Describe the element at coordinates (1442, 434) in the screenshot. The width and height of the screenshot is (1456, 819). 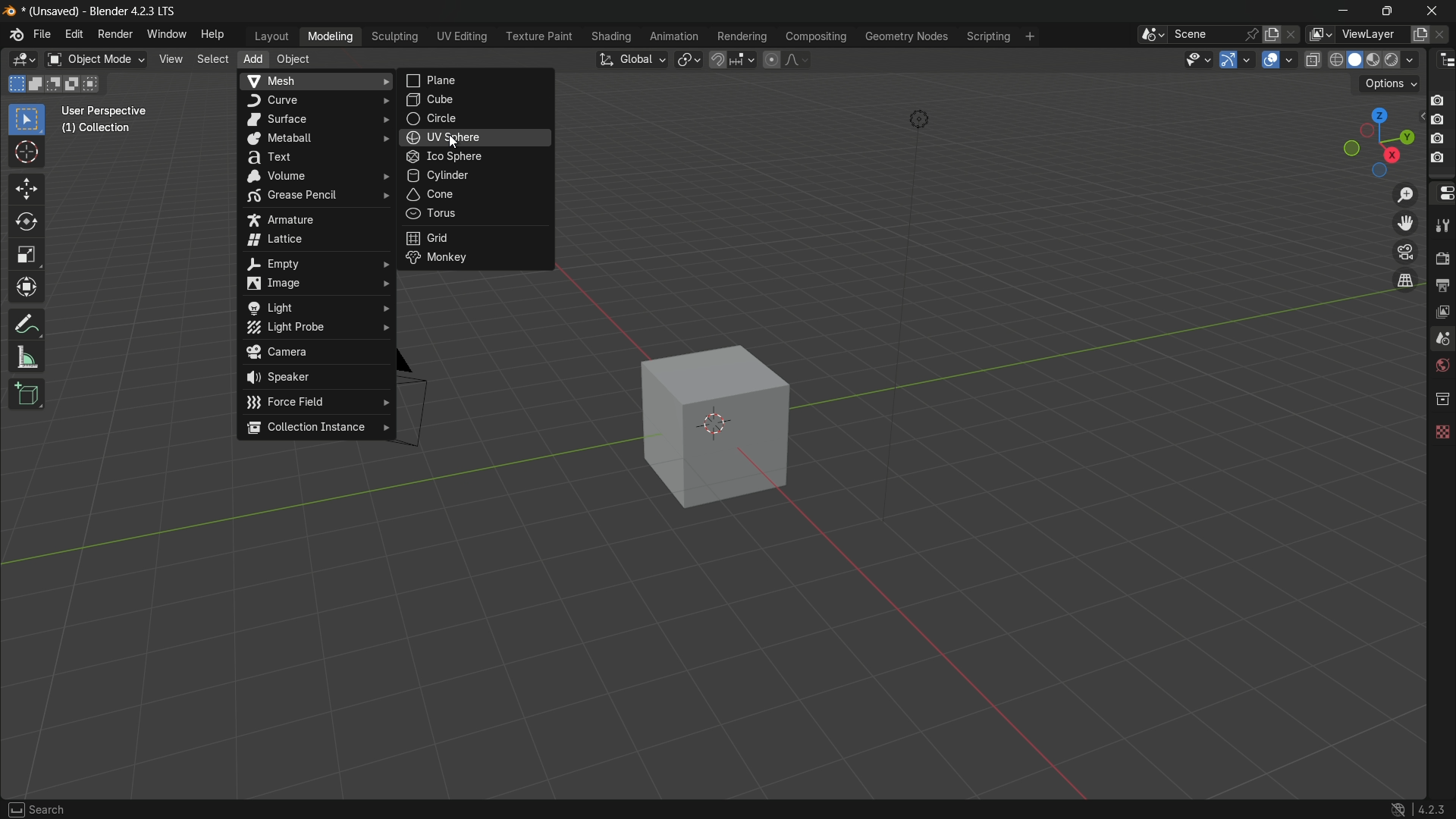
I see `texture` at that location.